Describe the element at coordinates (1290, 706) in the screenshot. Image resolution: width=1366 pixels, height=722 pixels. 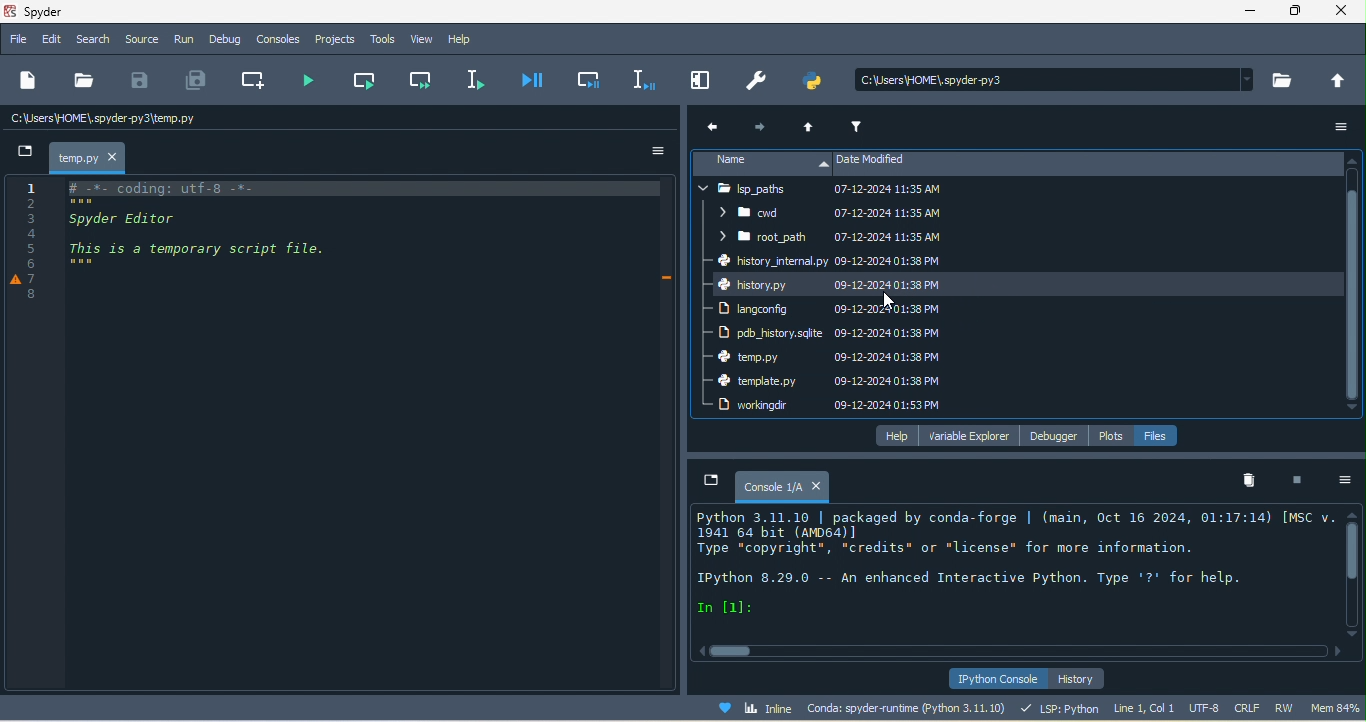
I see `rw` at that location.